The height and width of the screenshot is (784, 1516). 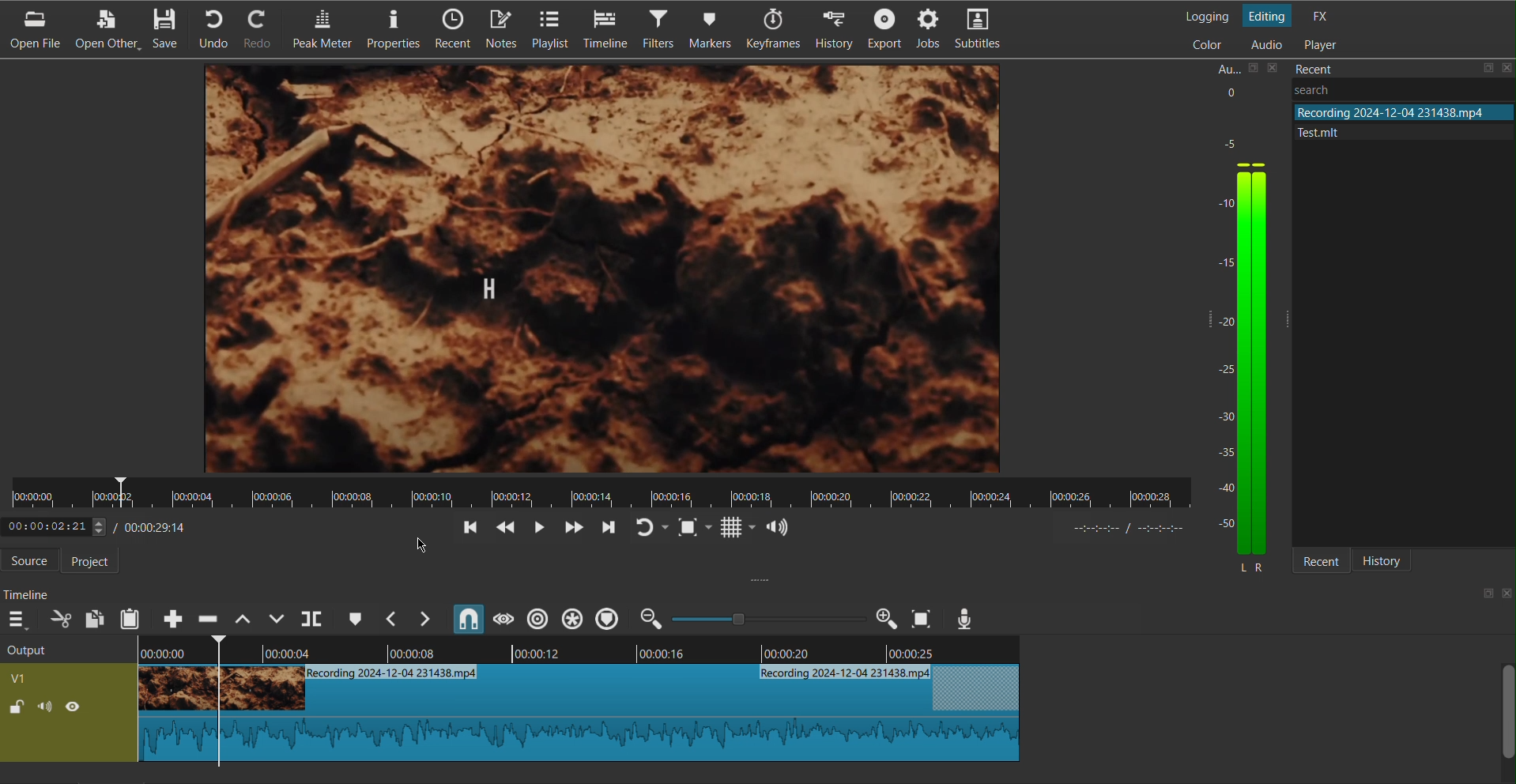 I want to click on Move Forward, so click(x=605, y=529).